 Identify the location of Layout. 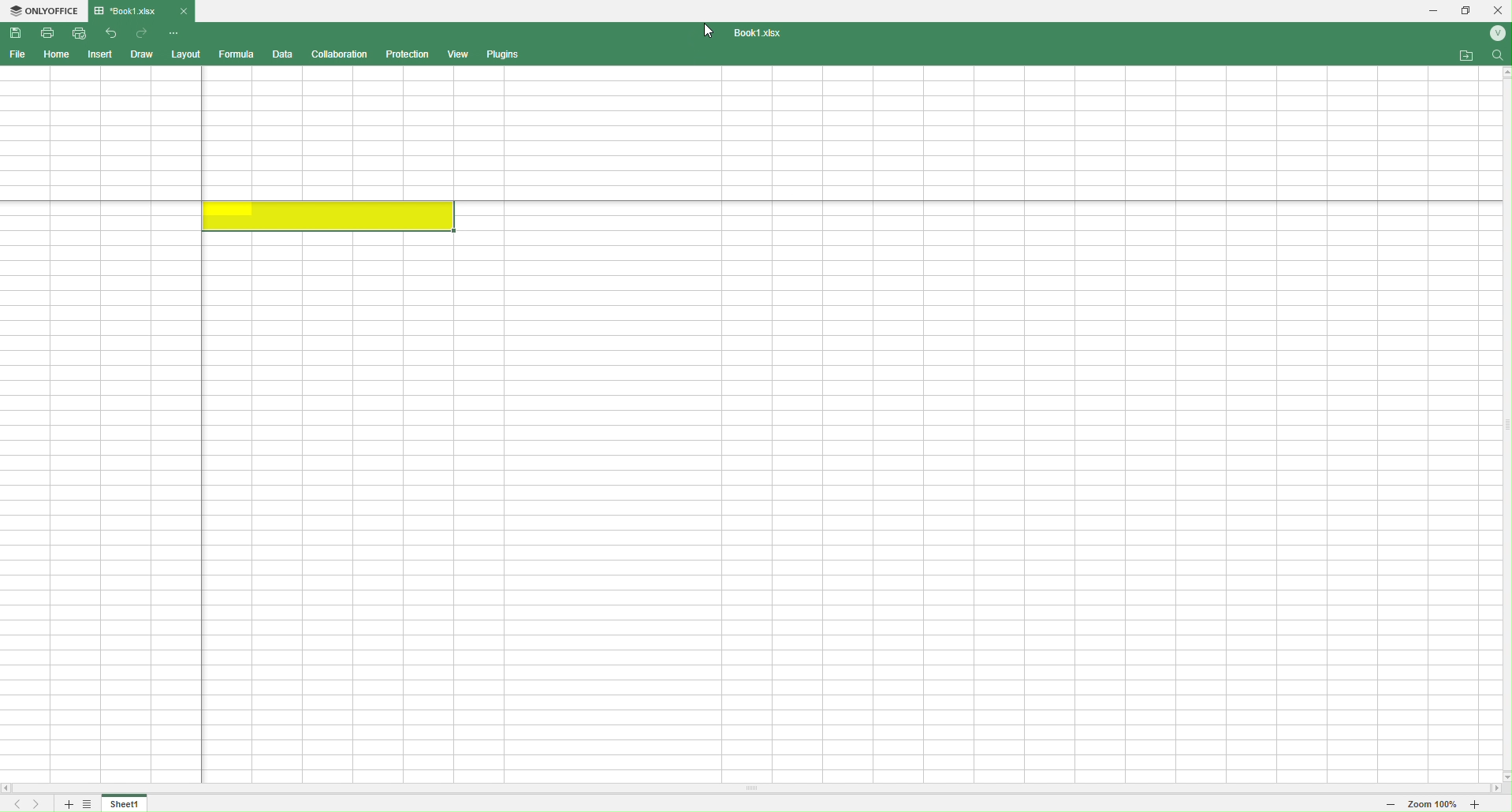
(184, 54).